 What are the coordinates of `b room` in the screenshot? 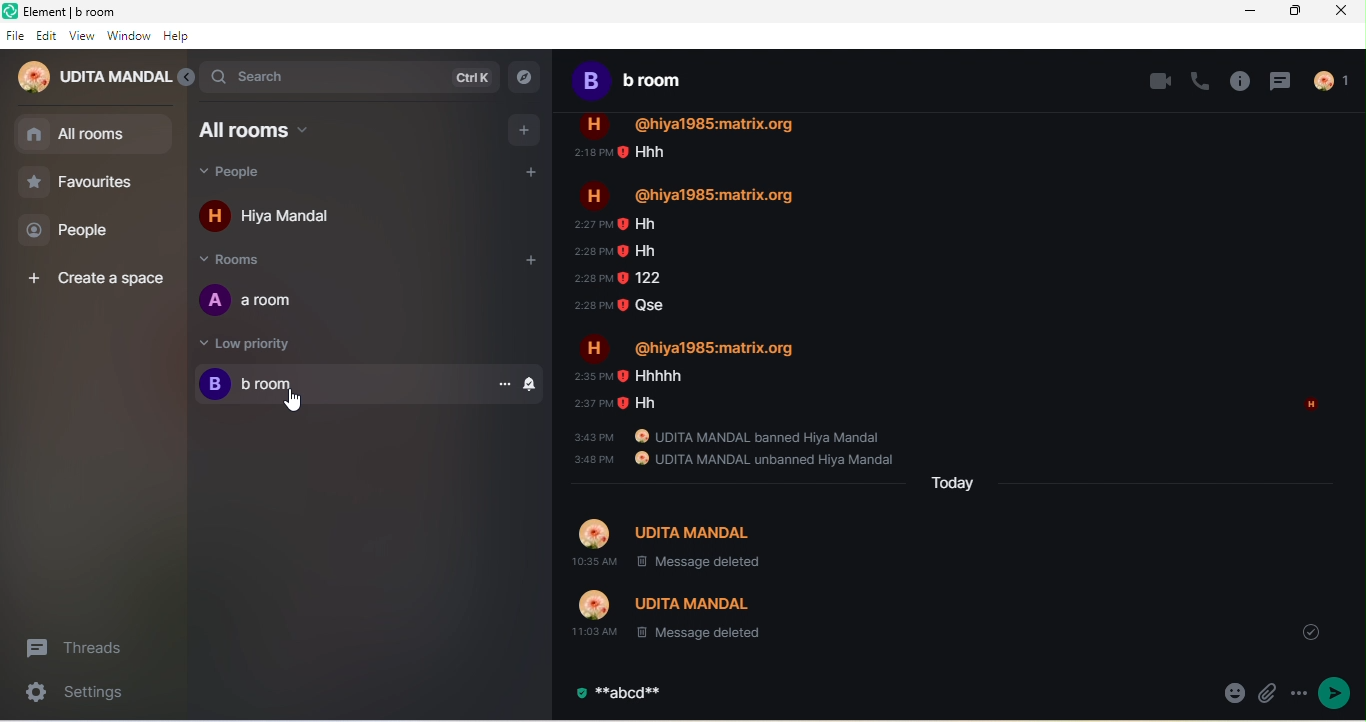 It's located at (641, 85).